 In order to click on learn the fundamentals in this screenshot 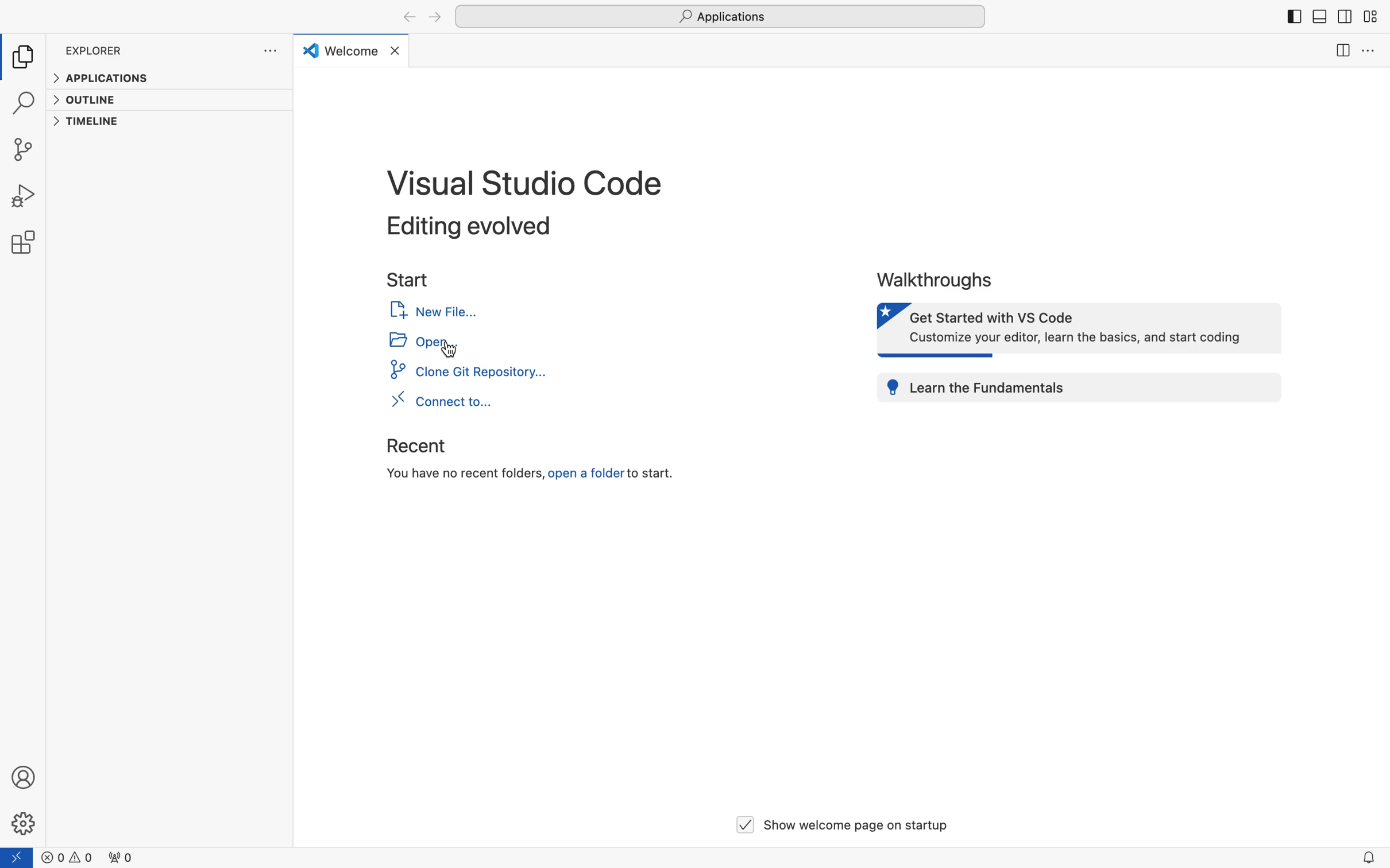, I will do `click(1080, 387)`.